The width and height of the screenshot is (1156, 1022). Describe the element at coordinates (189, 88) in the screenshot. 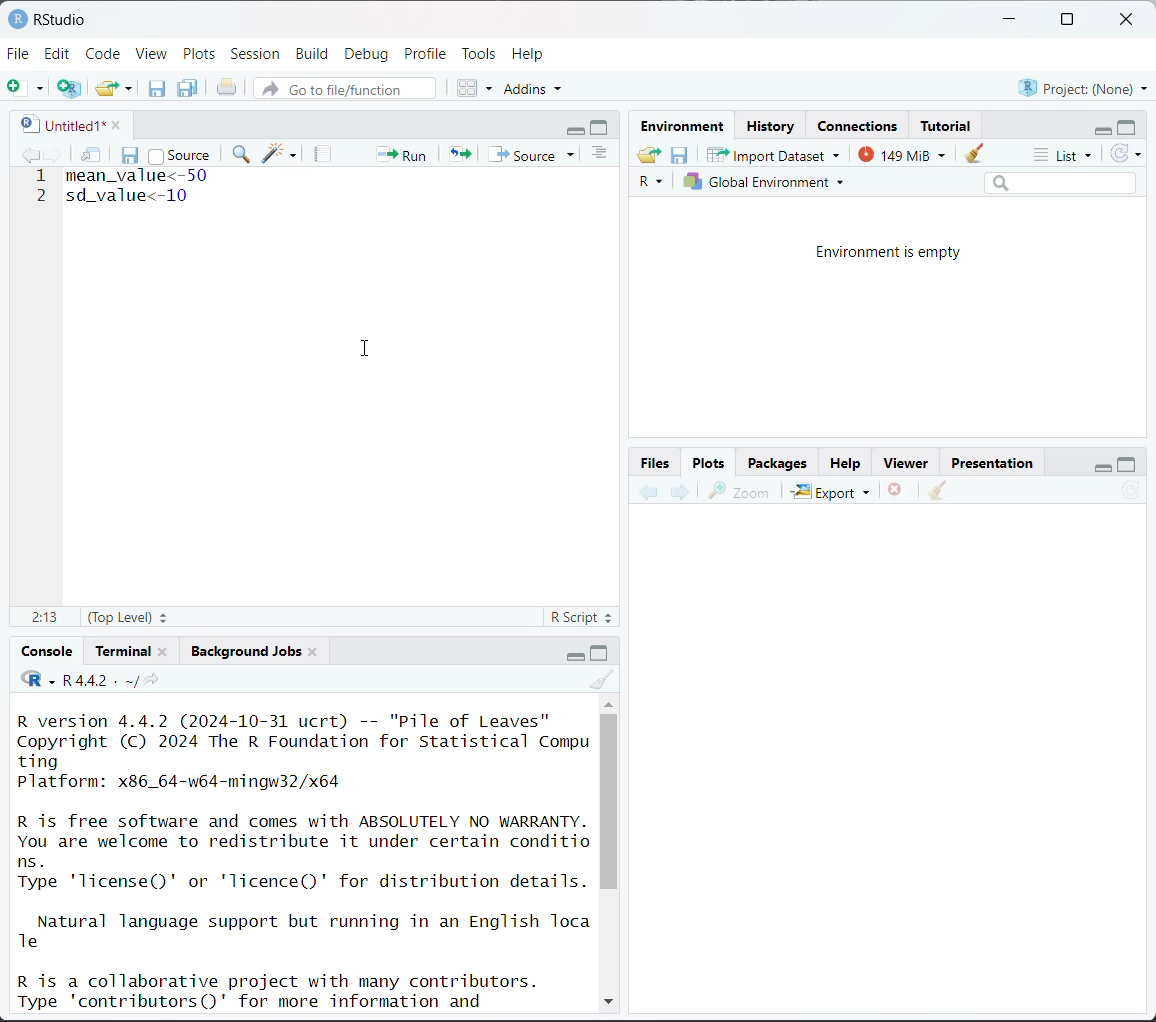

I see `save all open documents` at that location.